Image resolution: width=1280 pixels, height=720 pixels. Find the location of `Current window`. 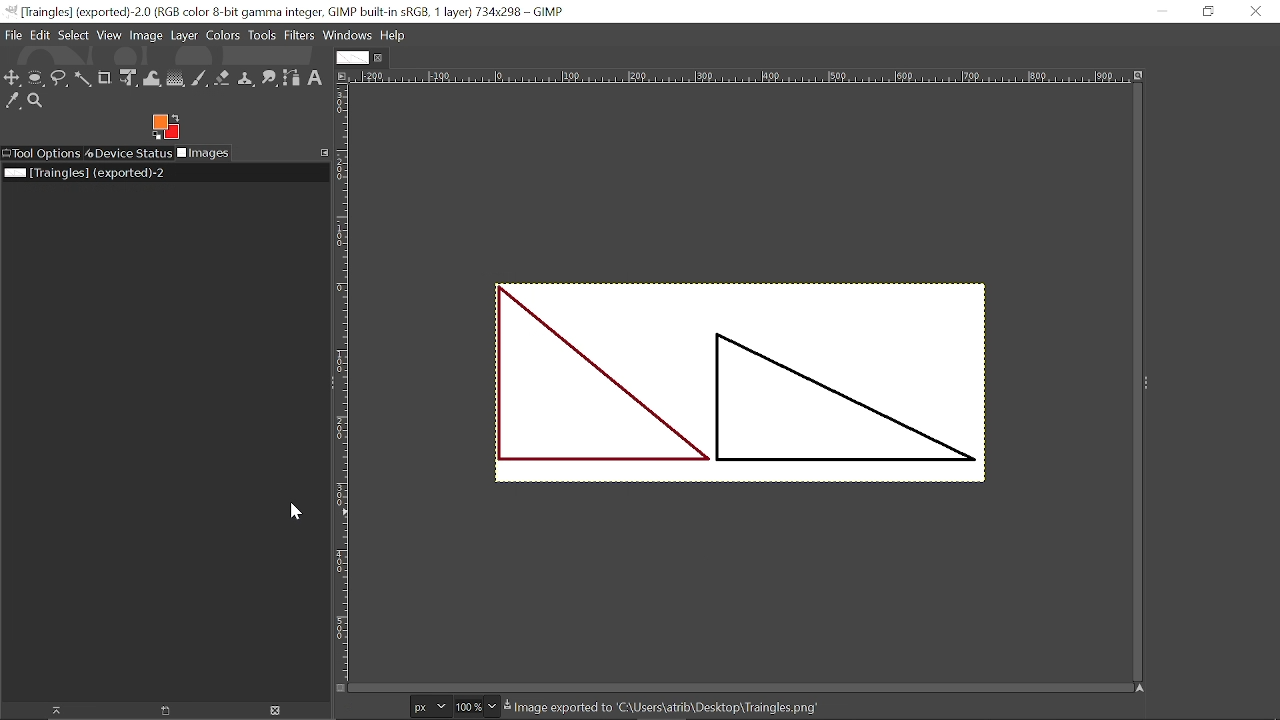

Current window is located at coordinates (287, 11).